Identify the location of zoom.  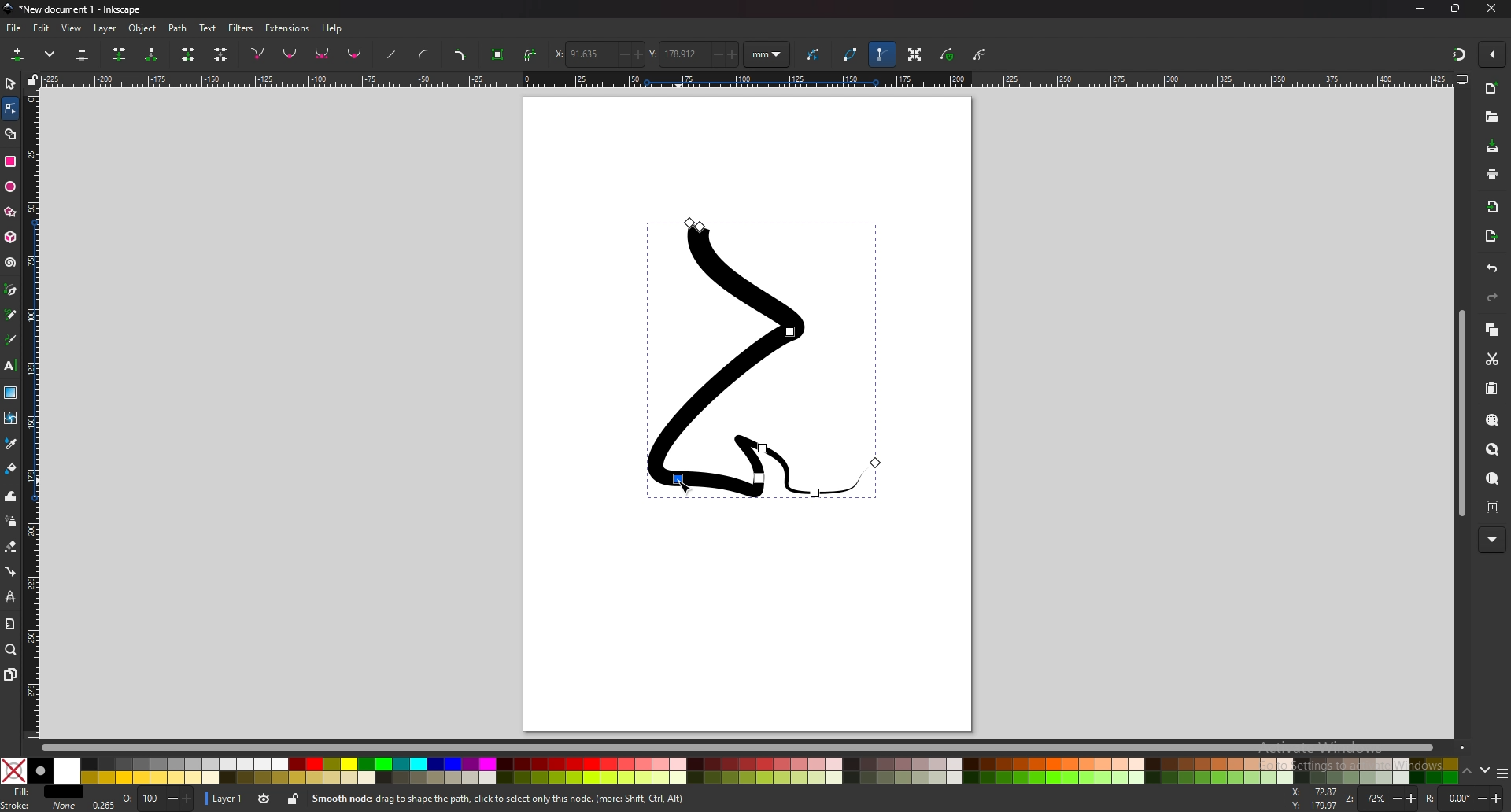
(1381, 799).